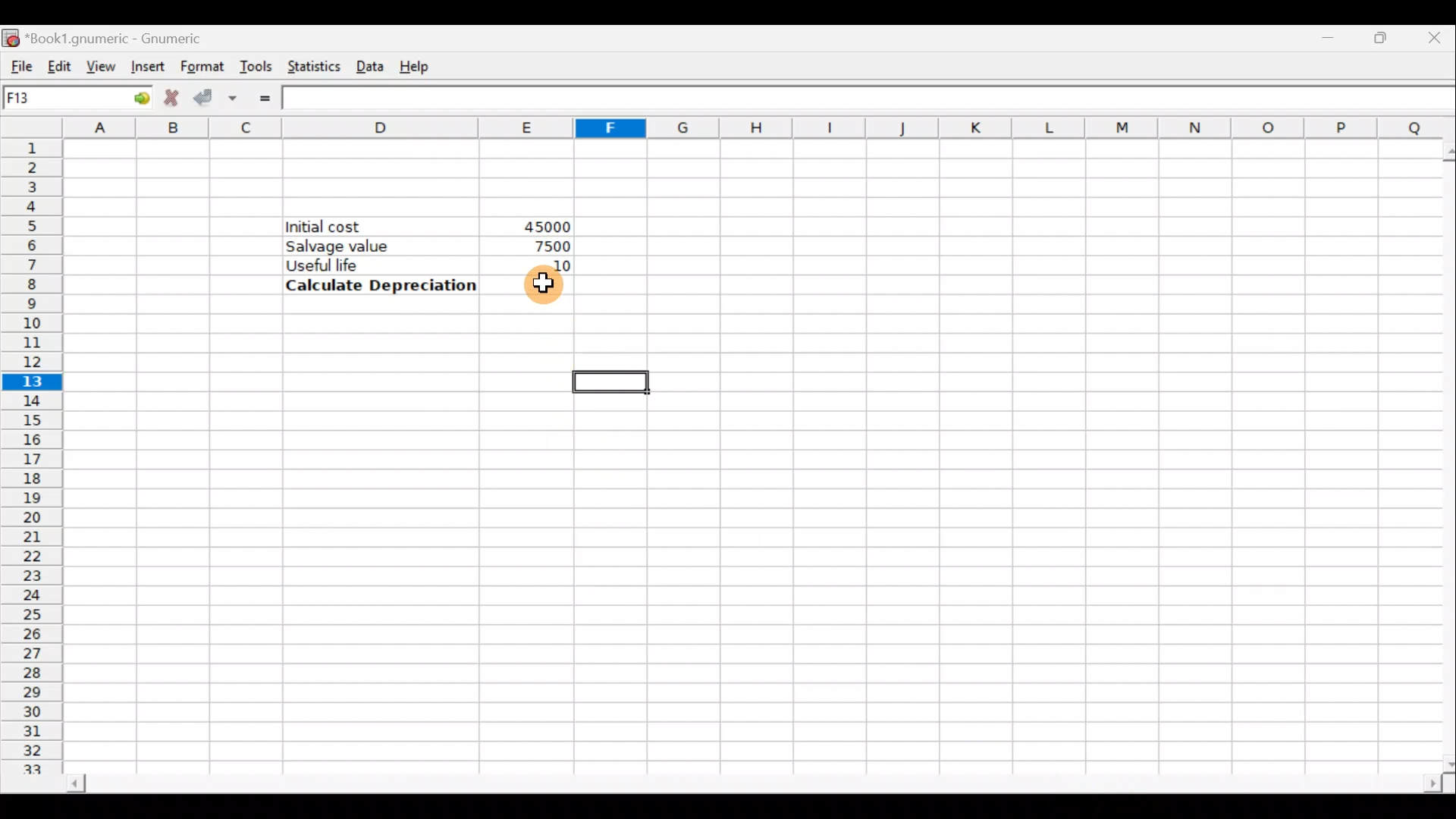 This screenshot has width=1456, height=819. Describe the element at coordinates (146, 67) in the screenshot. I see `Insert` at that location.